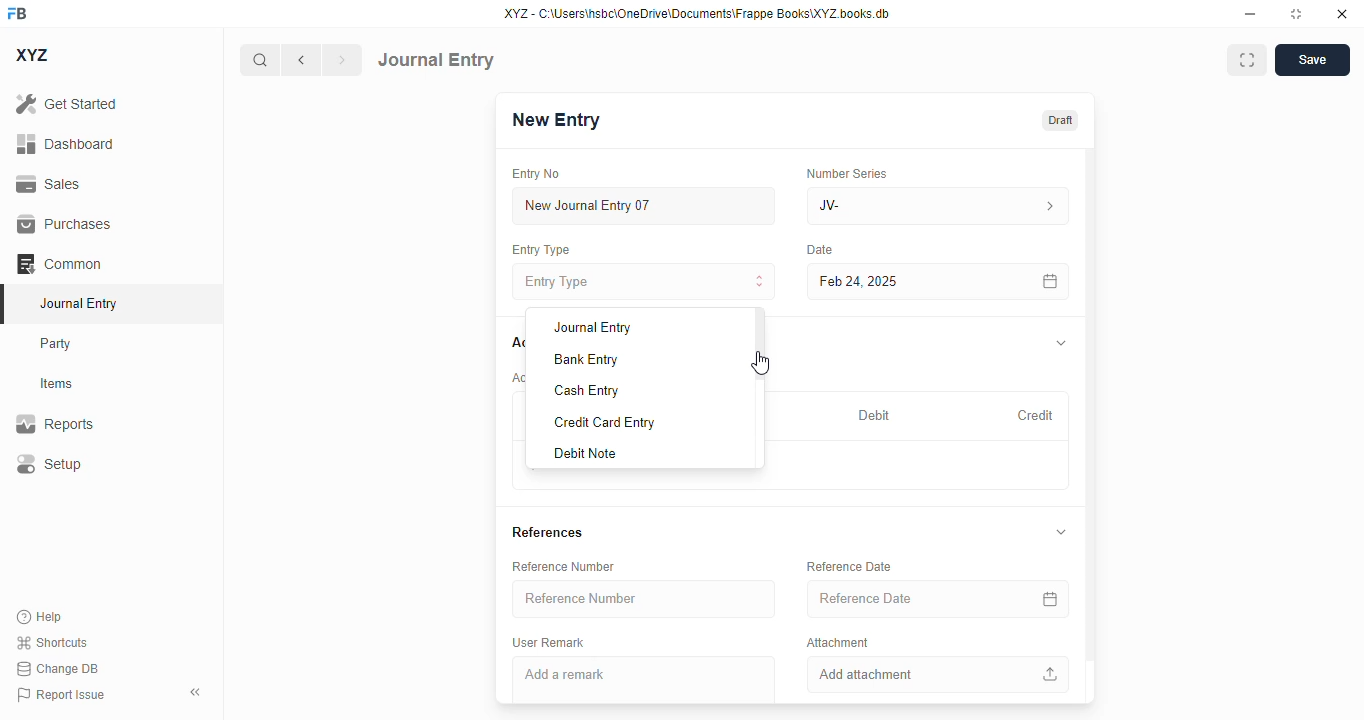 The height and width of the screenshot is (720, 1364). Describe the element at coordinates (643, 679) in the screenshot. I see `add a remark` at that location.